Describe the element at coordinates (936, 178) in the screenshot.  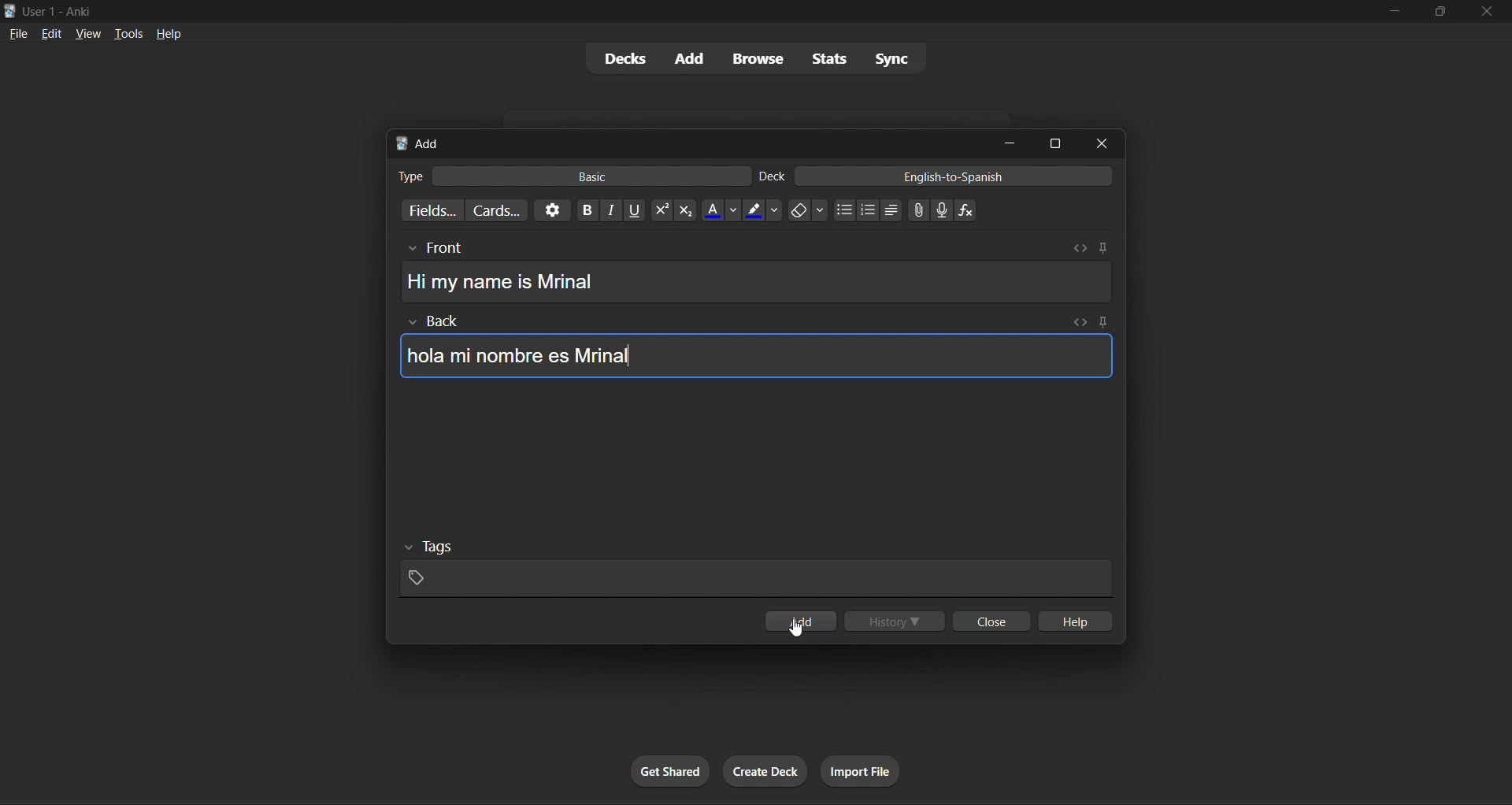
I see `english-to-spanish deck` at that location.